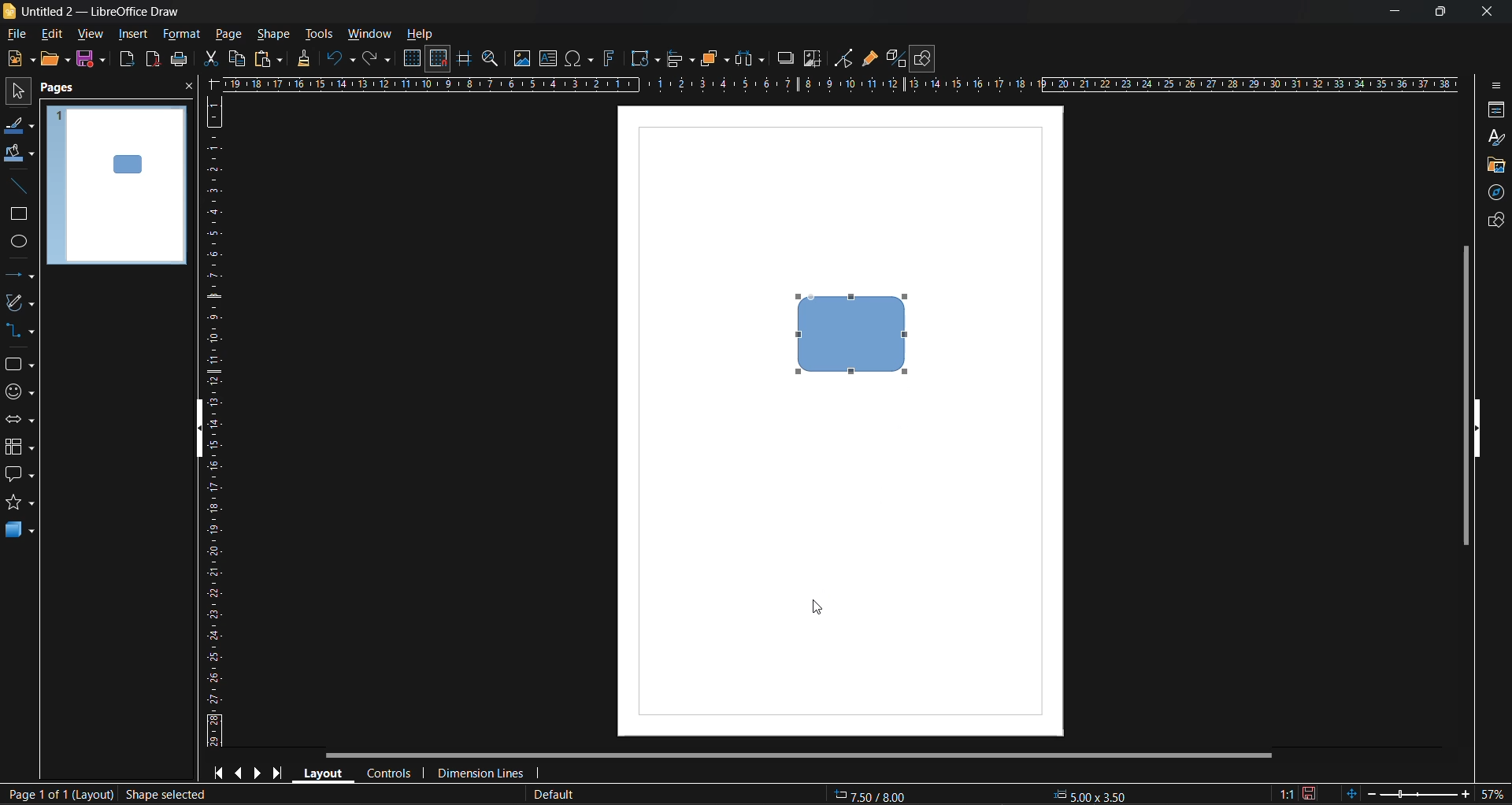 The height and width of the screenshot is (805, 1512). I want to click on stars and banners, so click(18, 502).